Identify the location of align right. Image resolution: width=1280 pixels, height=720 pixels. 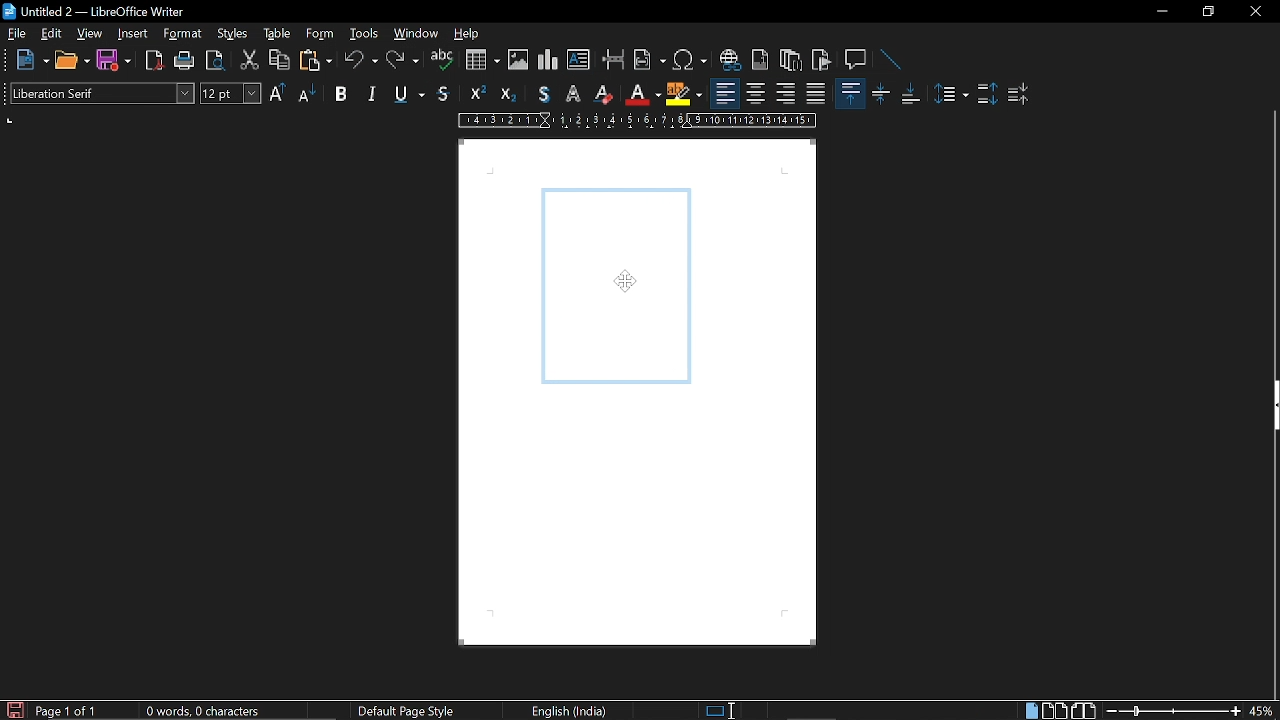
(787, 95).